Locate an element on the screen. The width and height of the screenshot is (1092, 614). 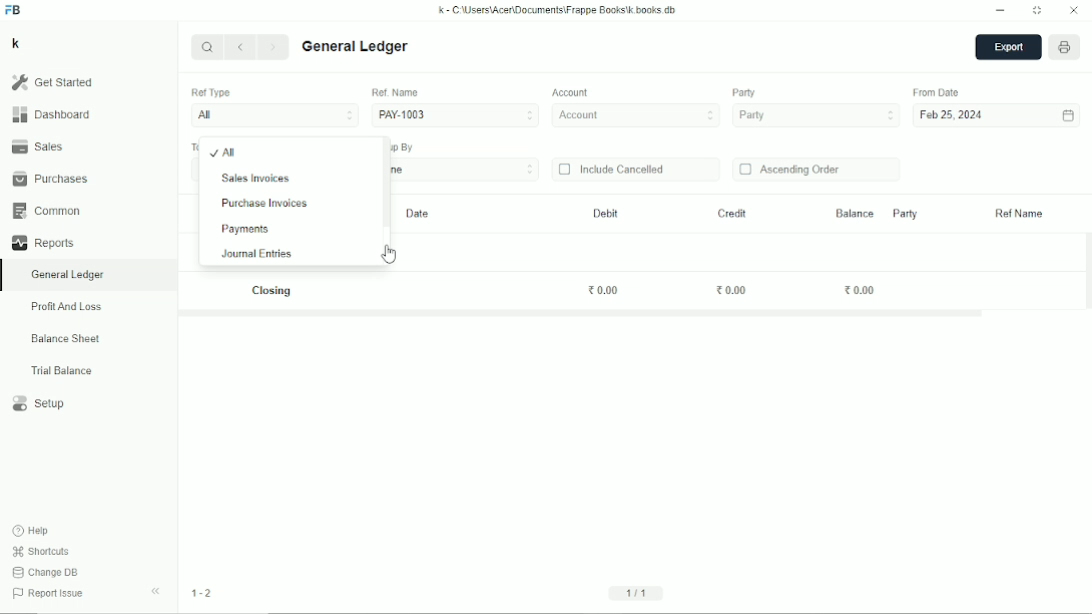
Credit is located at coordinates (731, 214).